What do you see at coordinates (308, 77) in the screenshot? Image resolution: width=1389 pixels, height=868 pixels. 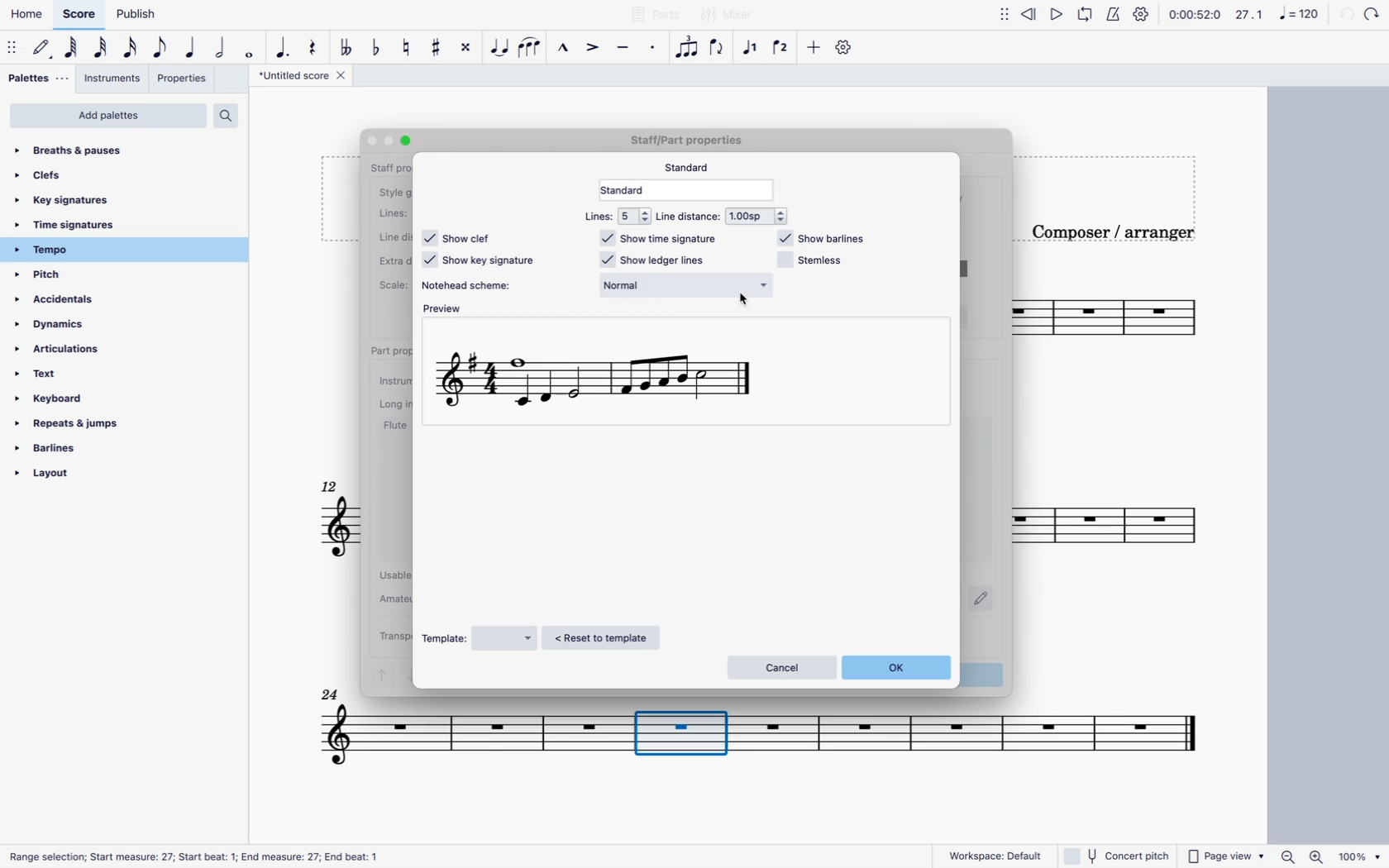 I see `score title` at bounding box center [308, 77].